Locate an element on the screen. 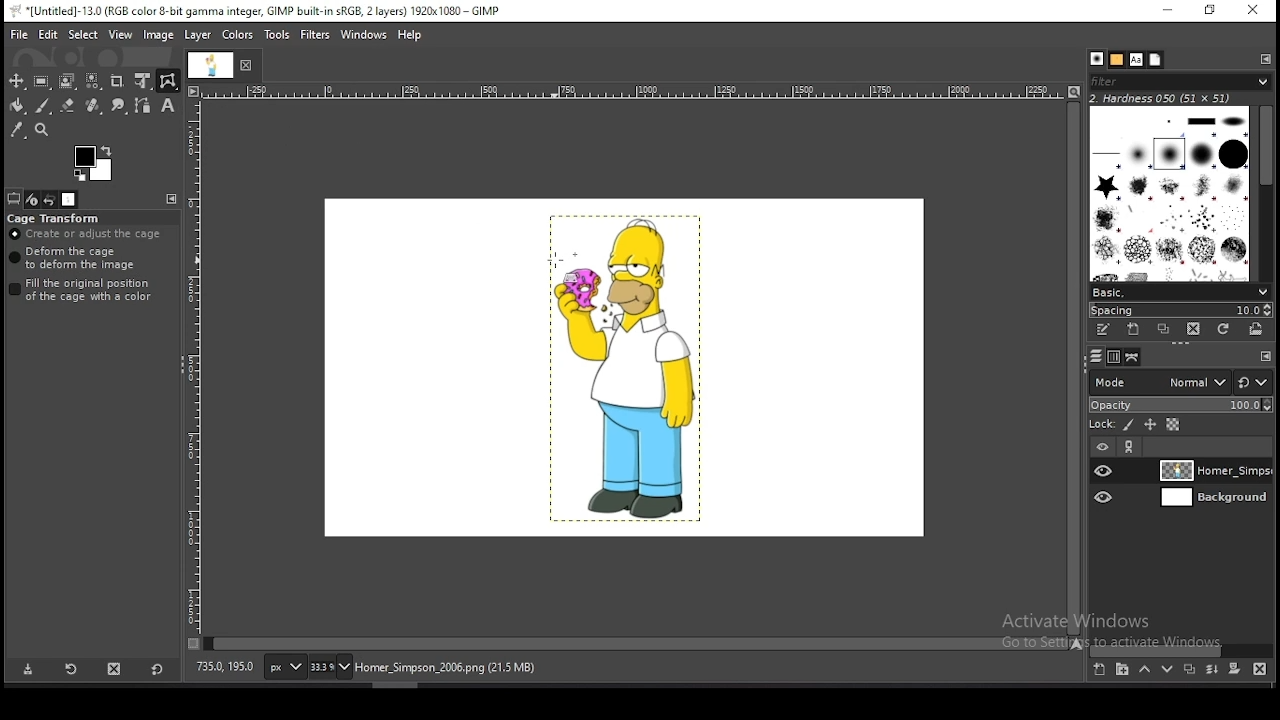 Image resolution: width=1280 pixels, height=720 pixels. move layer one step down is located at coordinates (1168, 671).